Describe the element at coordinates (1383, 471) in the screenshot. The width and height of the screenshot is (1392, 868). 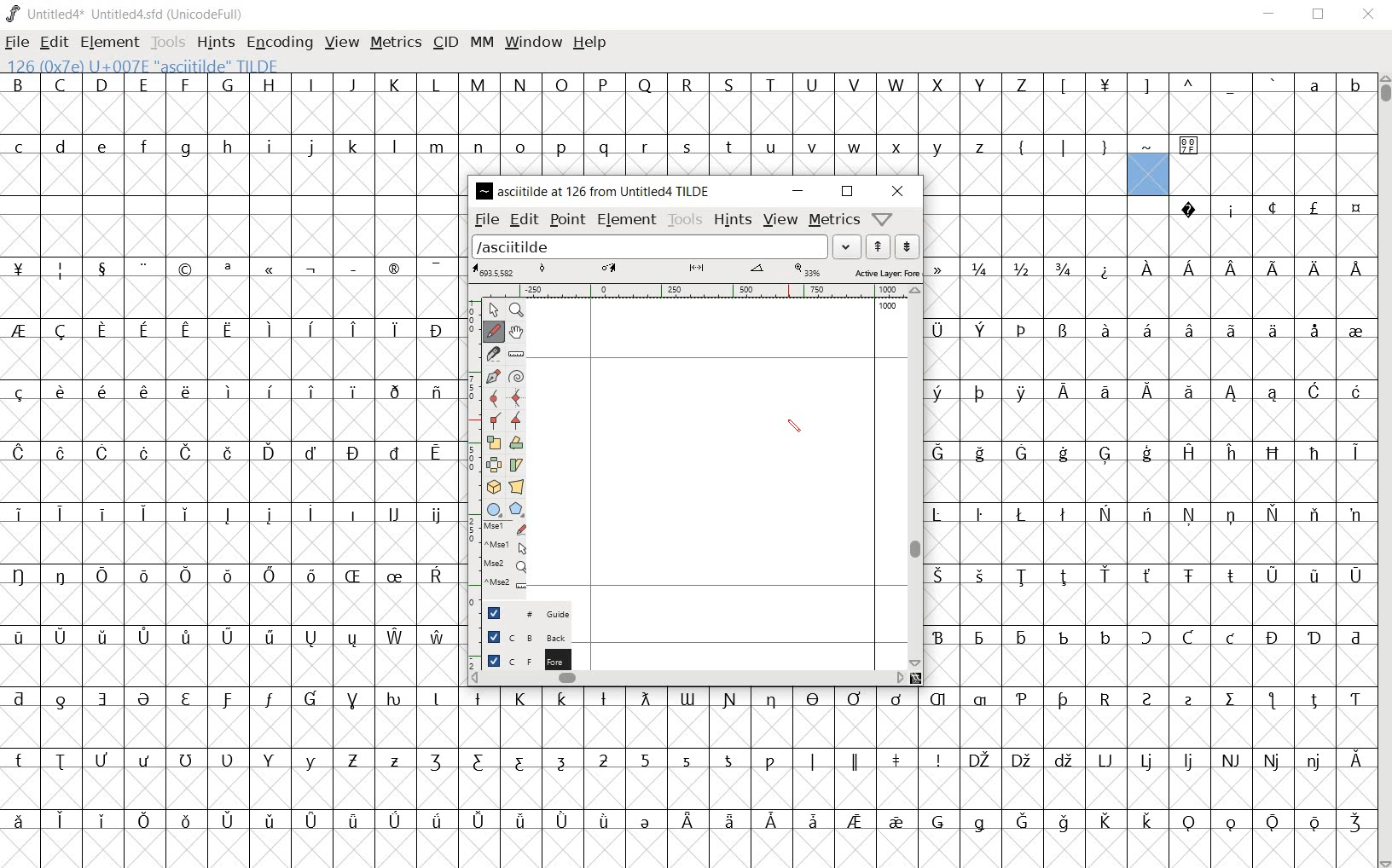
I see `SCROLLBAR` at that location.